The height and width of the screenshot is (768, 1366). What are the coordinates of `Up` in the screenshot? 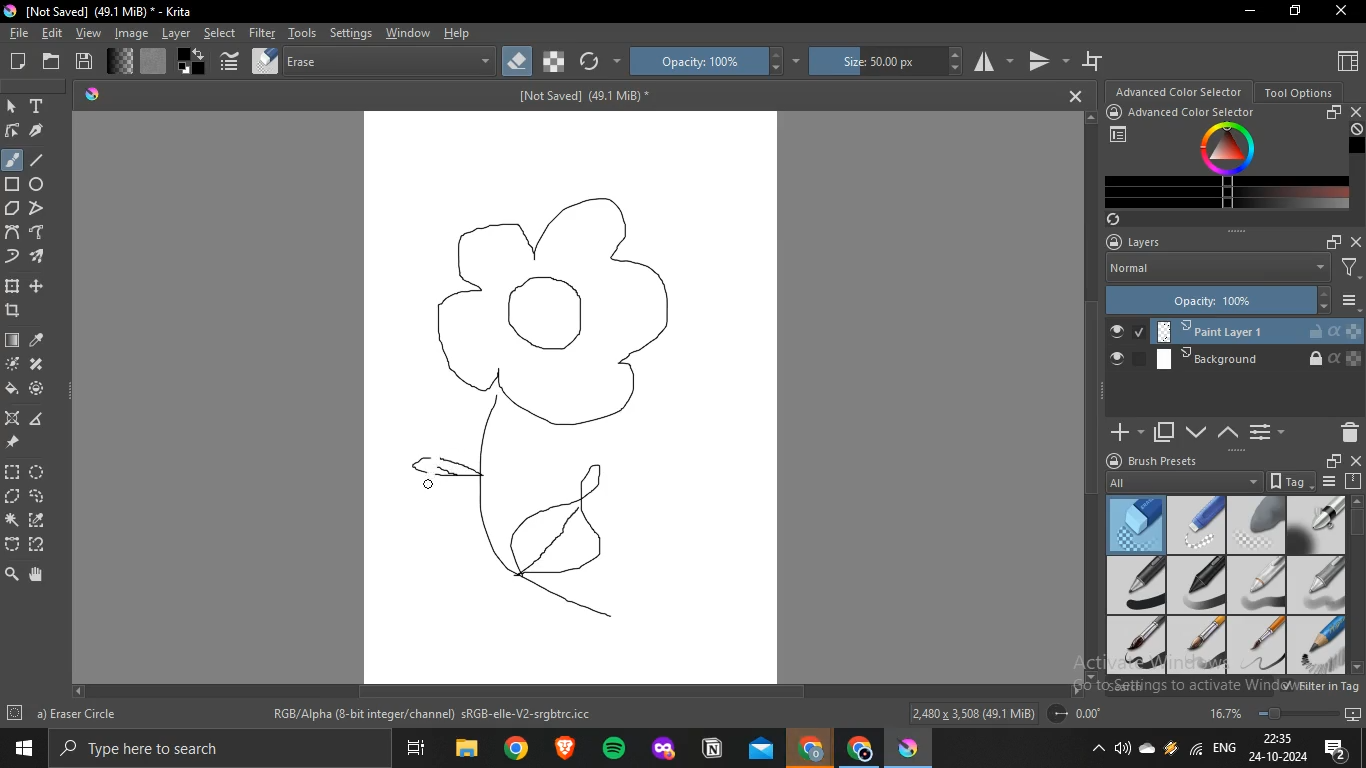 It's located at (1357, 498).